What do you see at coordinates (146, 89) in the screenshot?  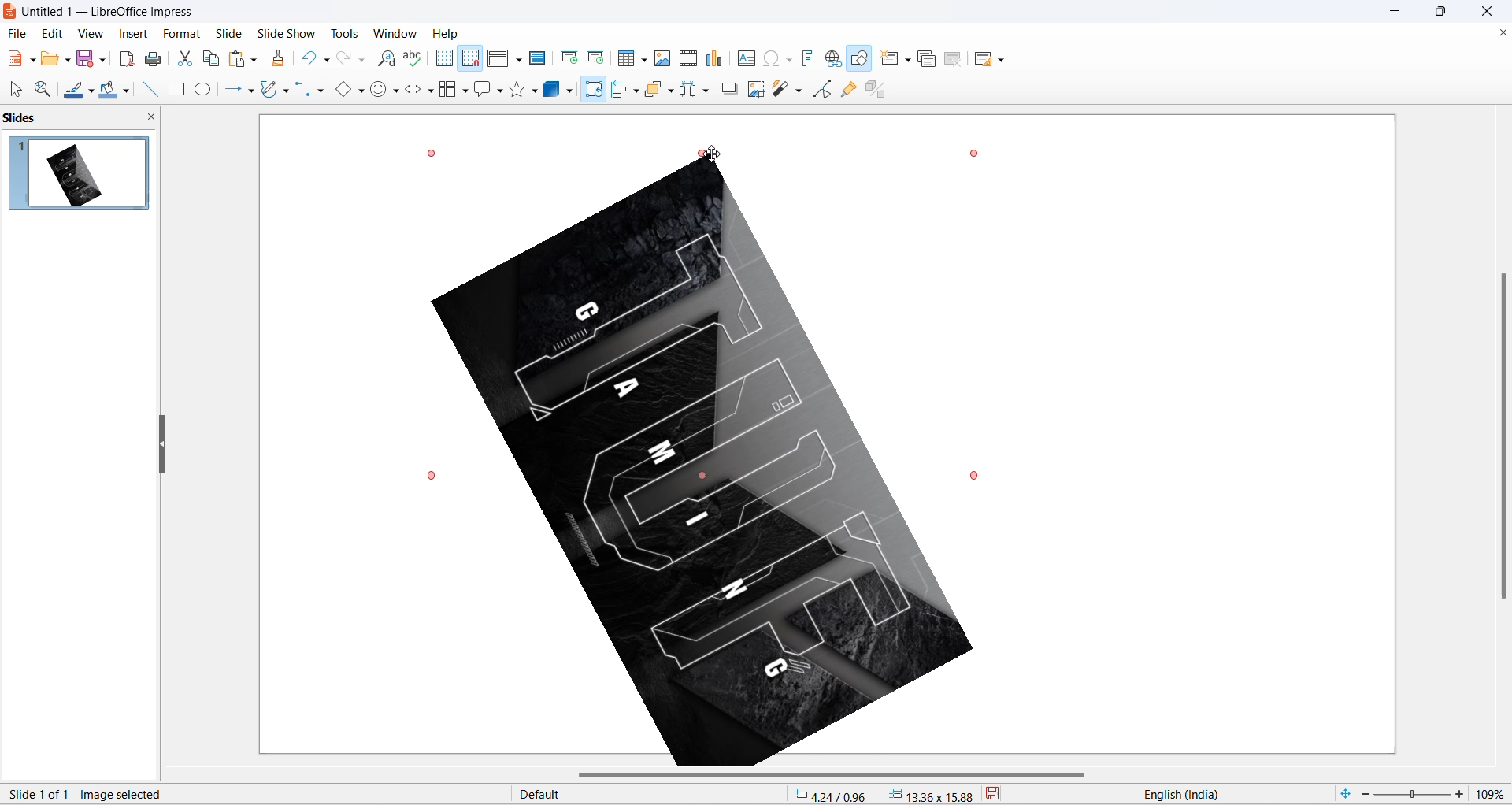 I see `line` at bounding box center [146, 89].